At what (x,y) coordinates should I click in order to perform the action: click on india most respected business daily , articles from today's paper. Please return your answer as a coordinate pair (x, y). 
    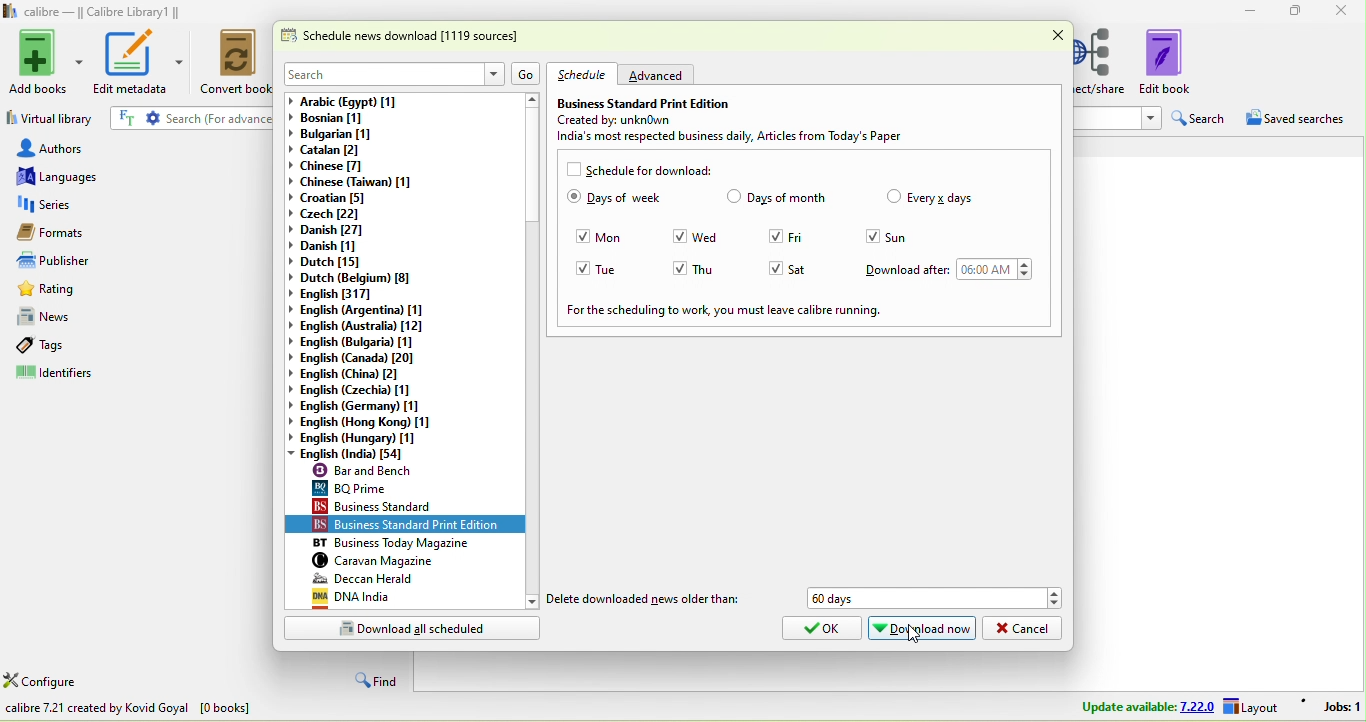
    Looking at the image, I should click on (745, 138).